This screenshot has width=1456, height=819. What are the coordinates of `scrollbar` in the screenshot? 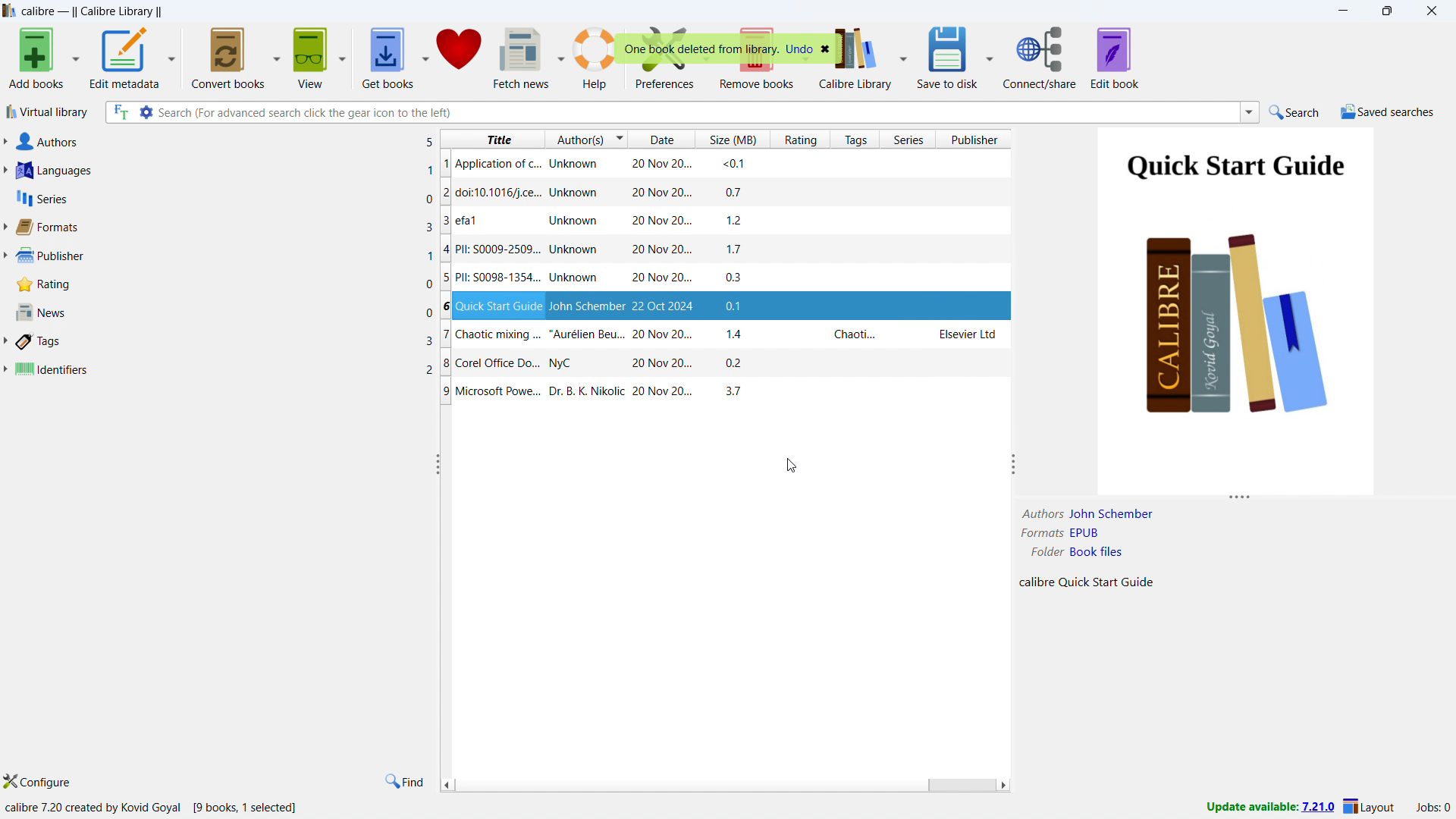 It's located at (958, 786).